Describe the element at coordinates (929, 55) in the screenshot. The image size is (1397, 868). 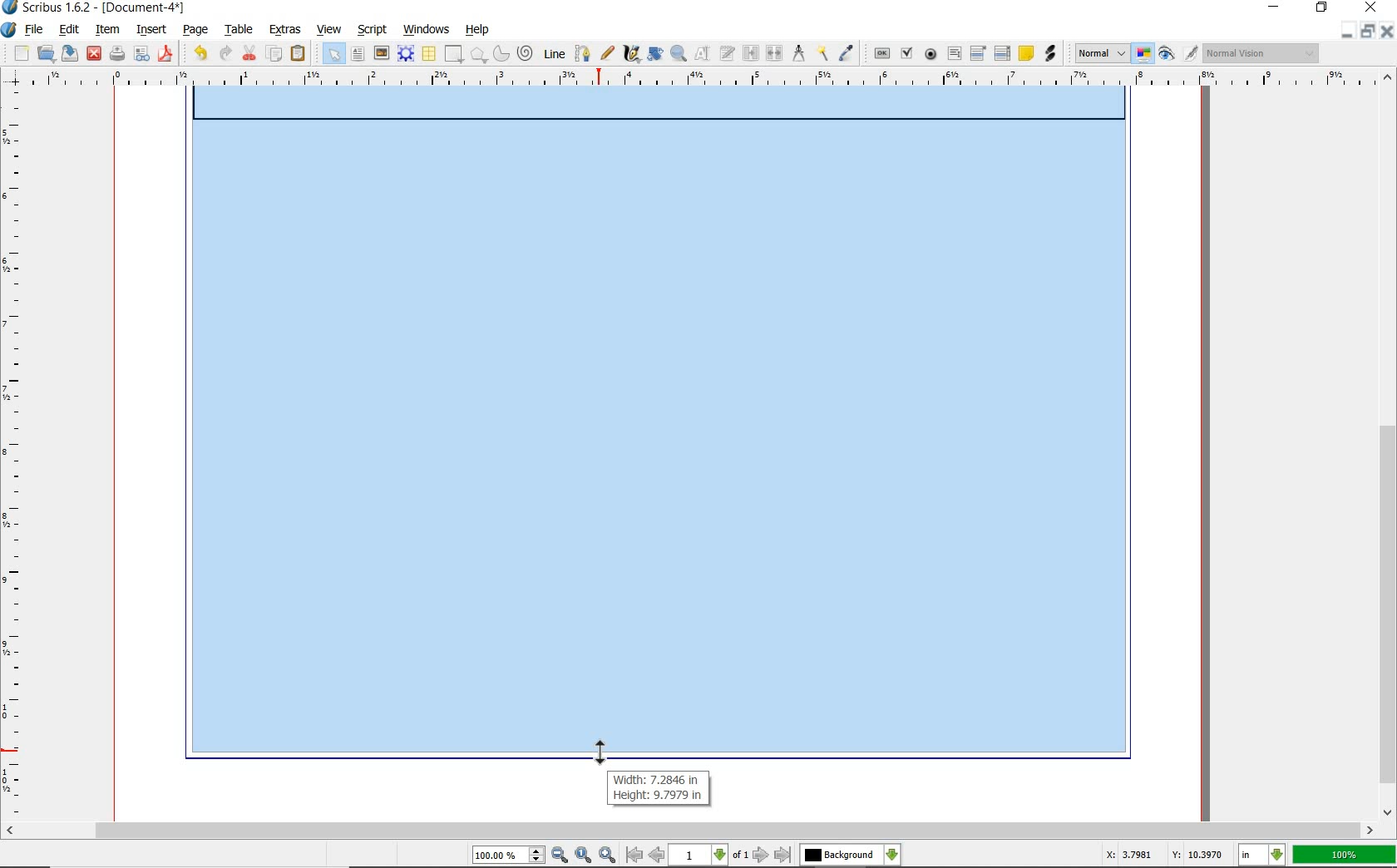
I see `pdf radio button` at that location.